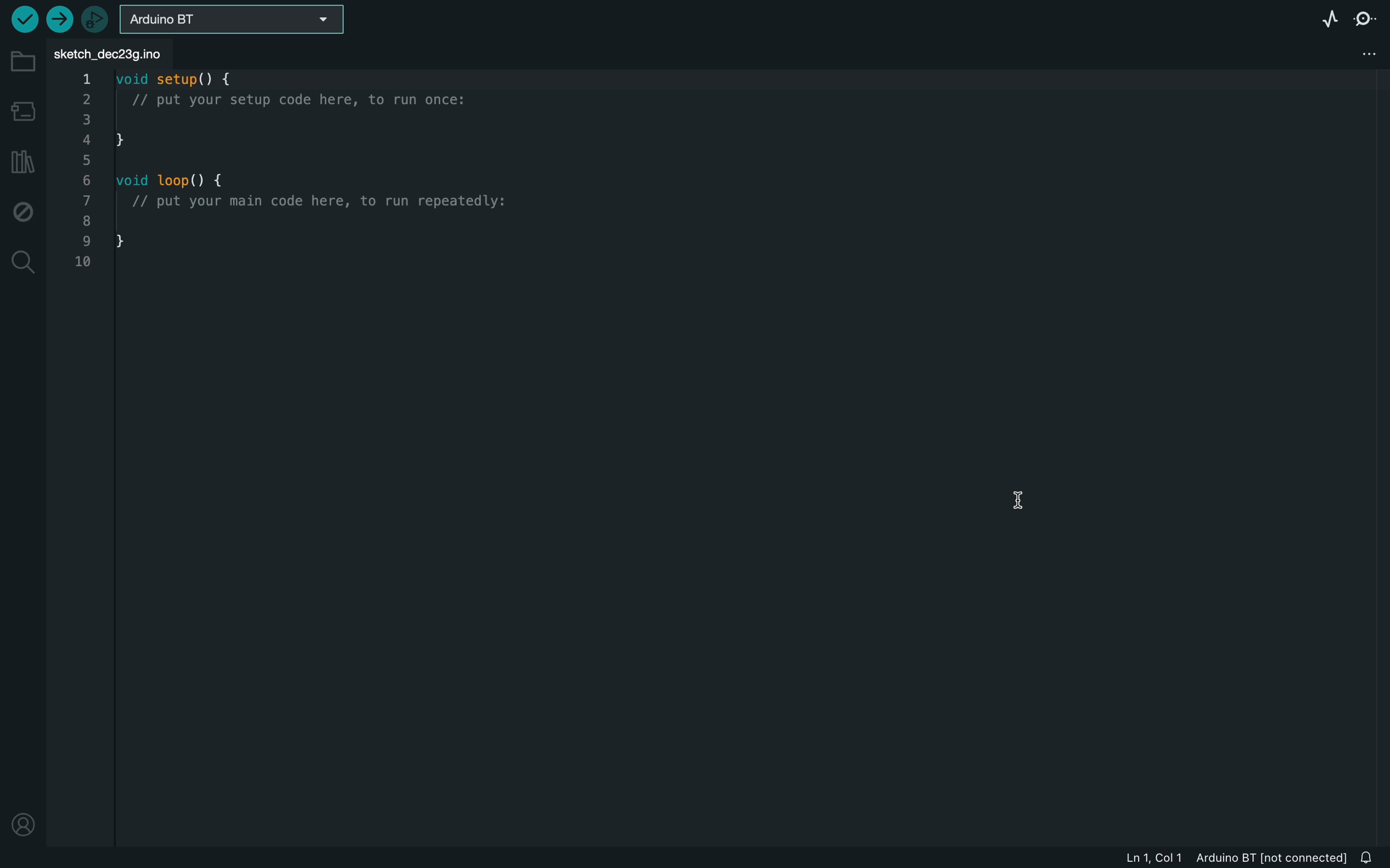  What do you see at coordinates (24, 212) in the screenshot?
I see `debug` at bounding box center [24, 212].